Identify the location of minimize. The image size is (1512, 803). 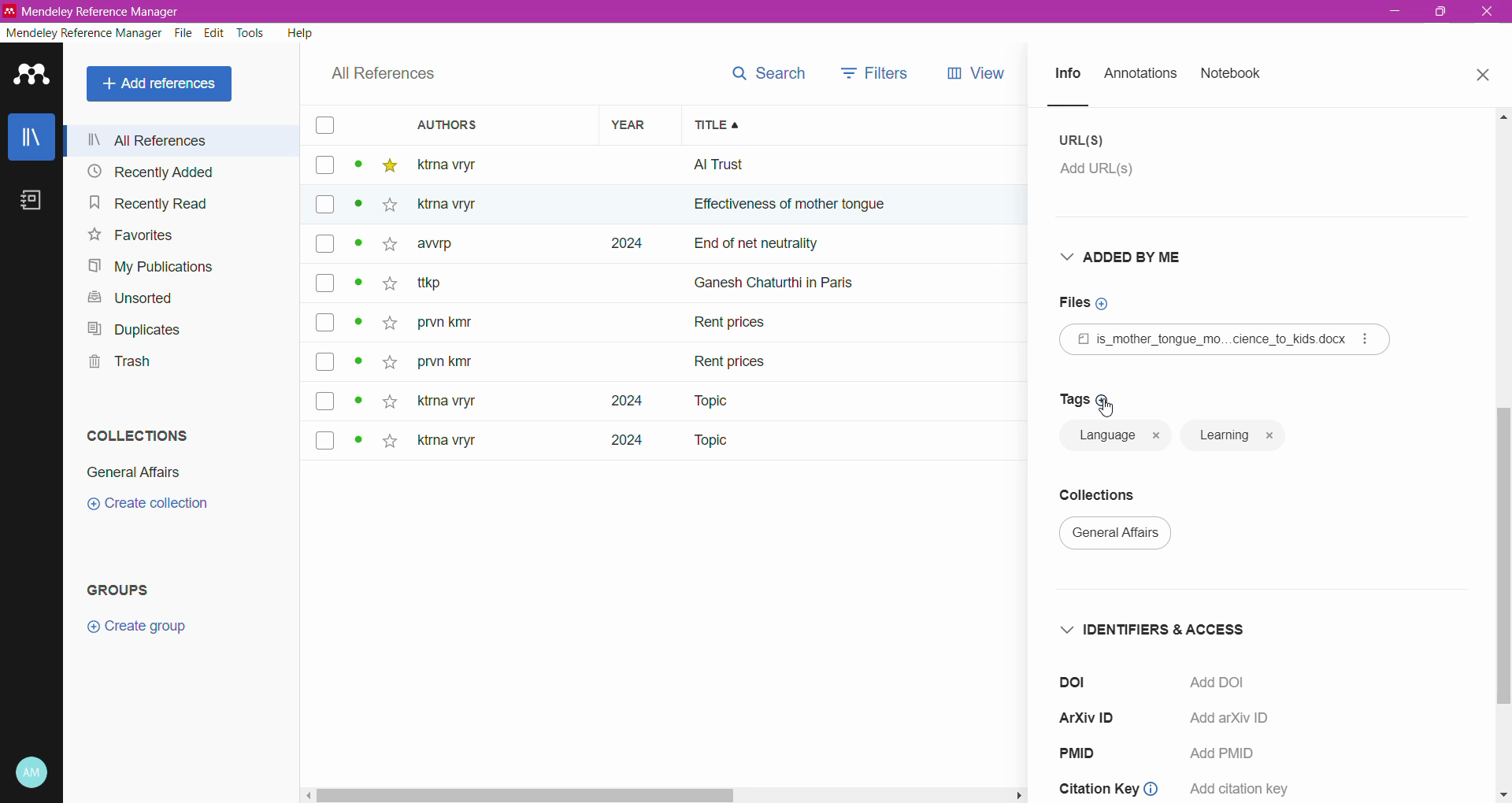
(1397, 13).